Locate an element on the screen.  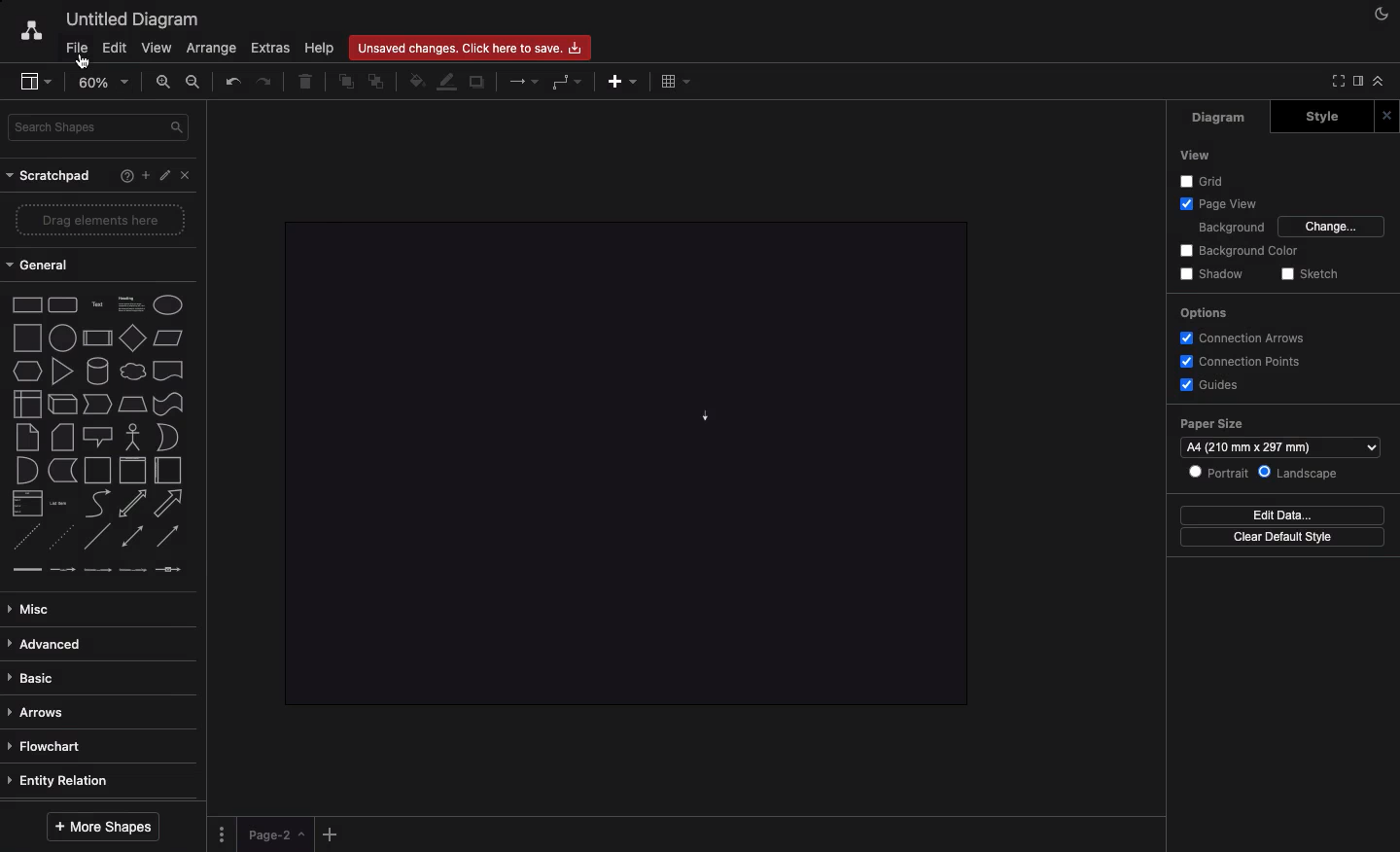
Waypoints is located at coordinates (569, 82).